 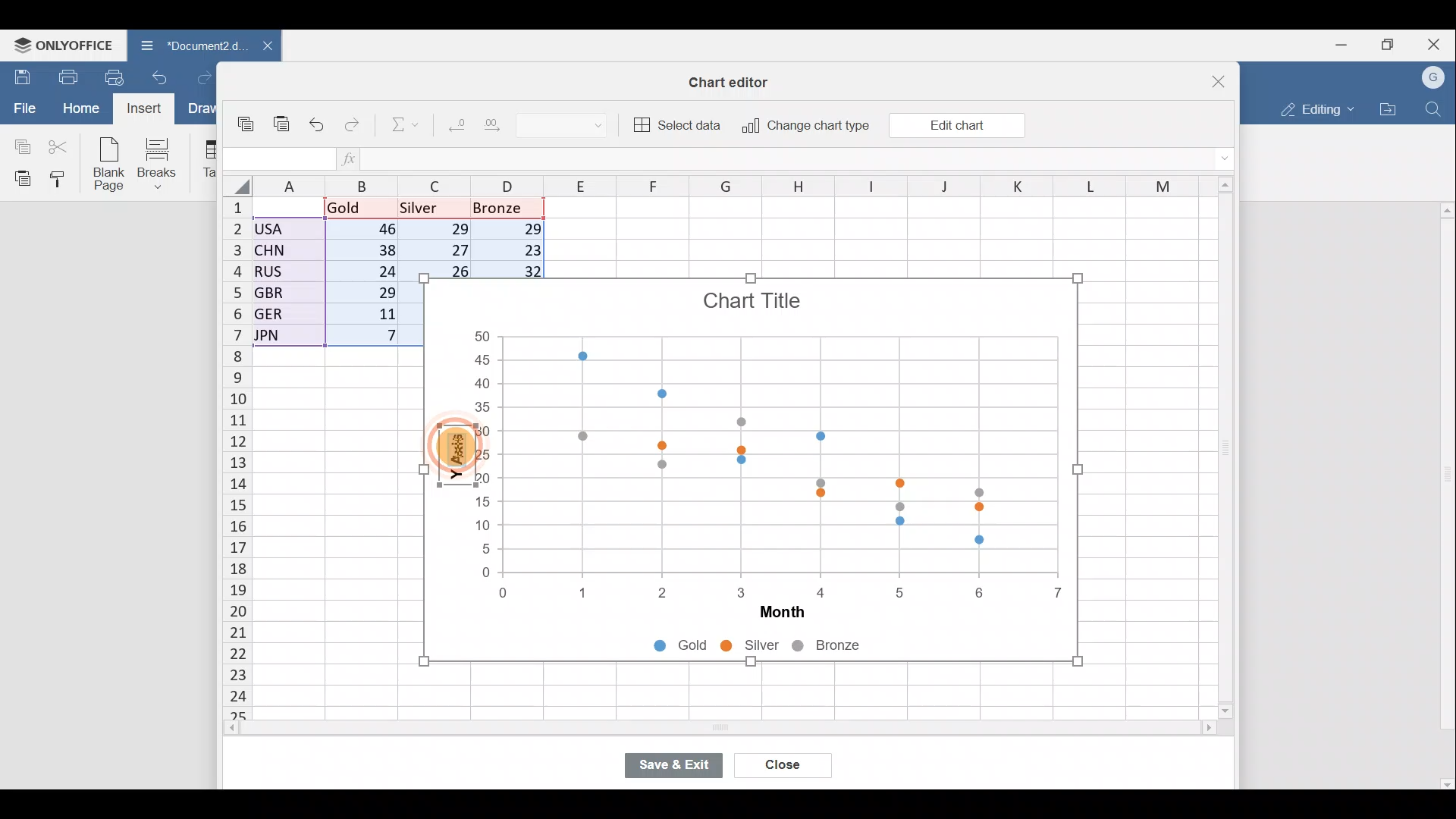 I want to click on Maximize, so click(x=1389, y=45).